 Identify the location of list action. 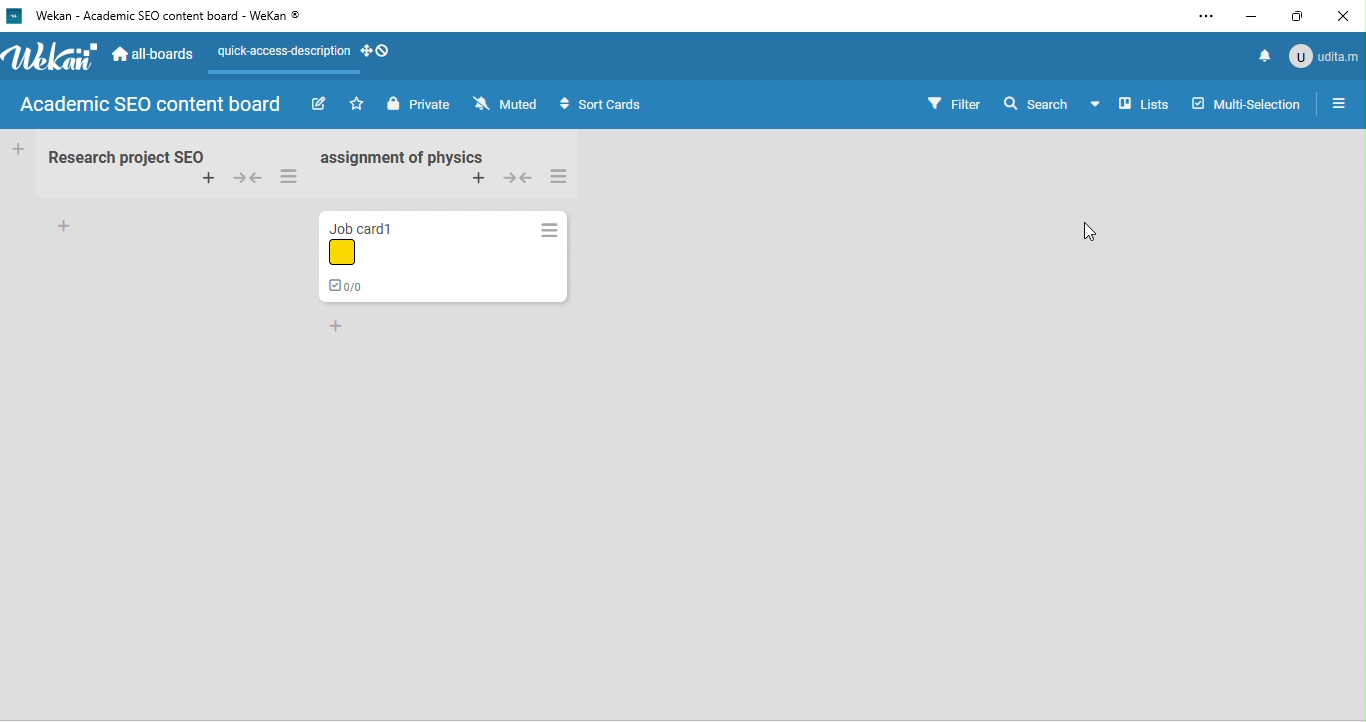
(291, 177).